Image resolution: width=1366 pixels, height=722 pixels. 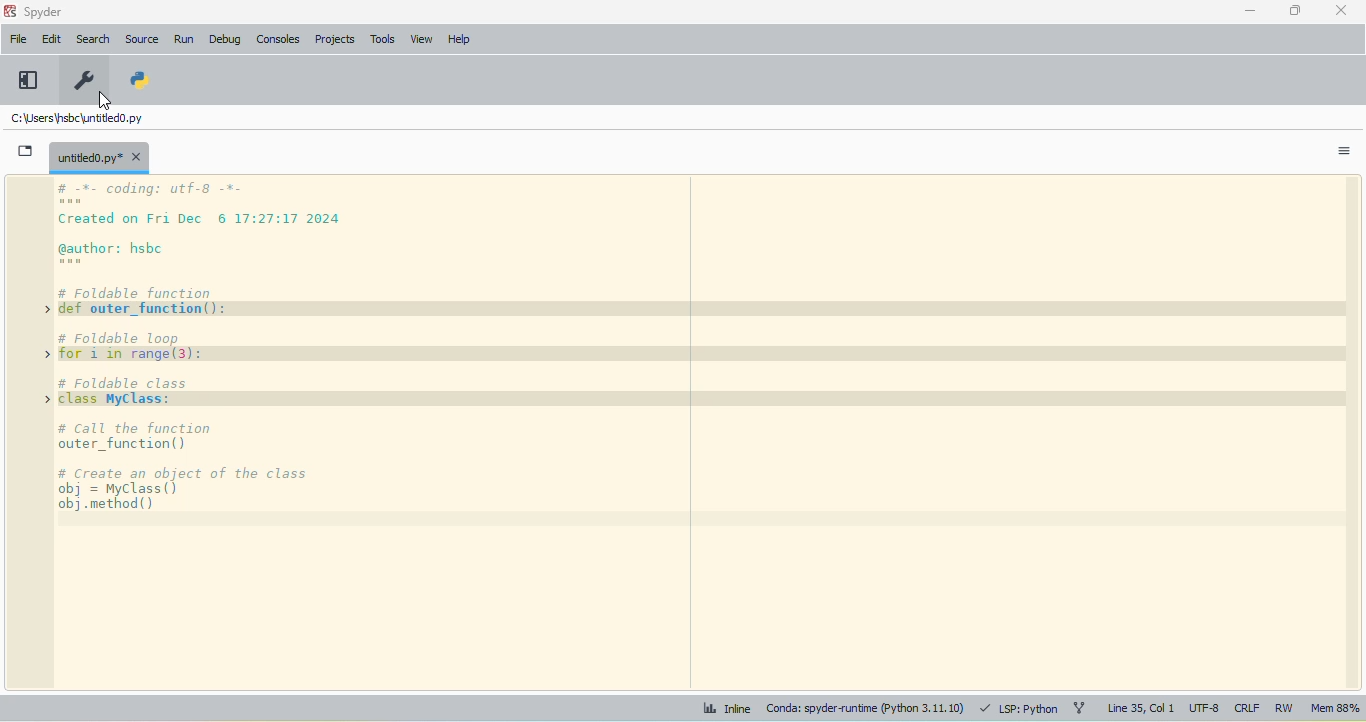 I want to click on cursor, so click(x=104, y=102).